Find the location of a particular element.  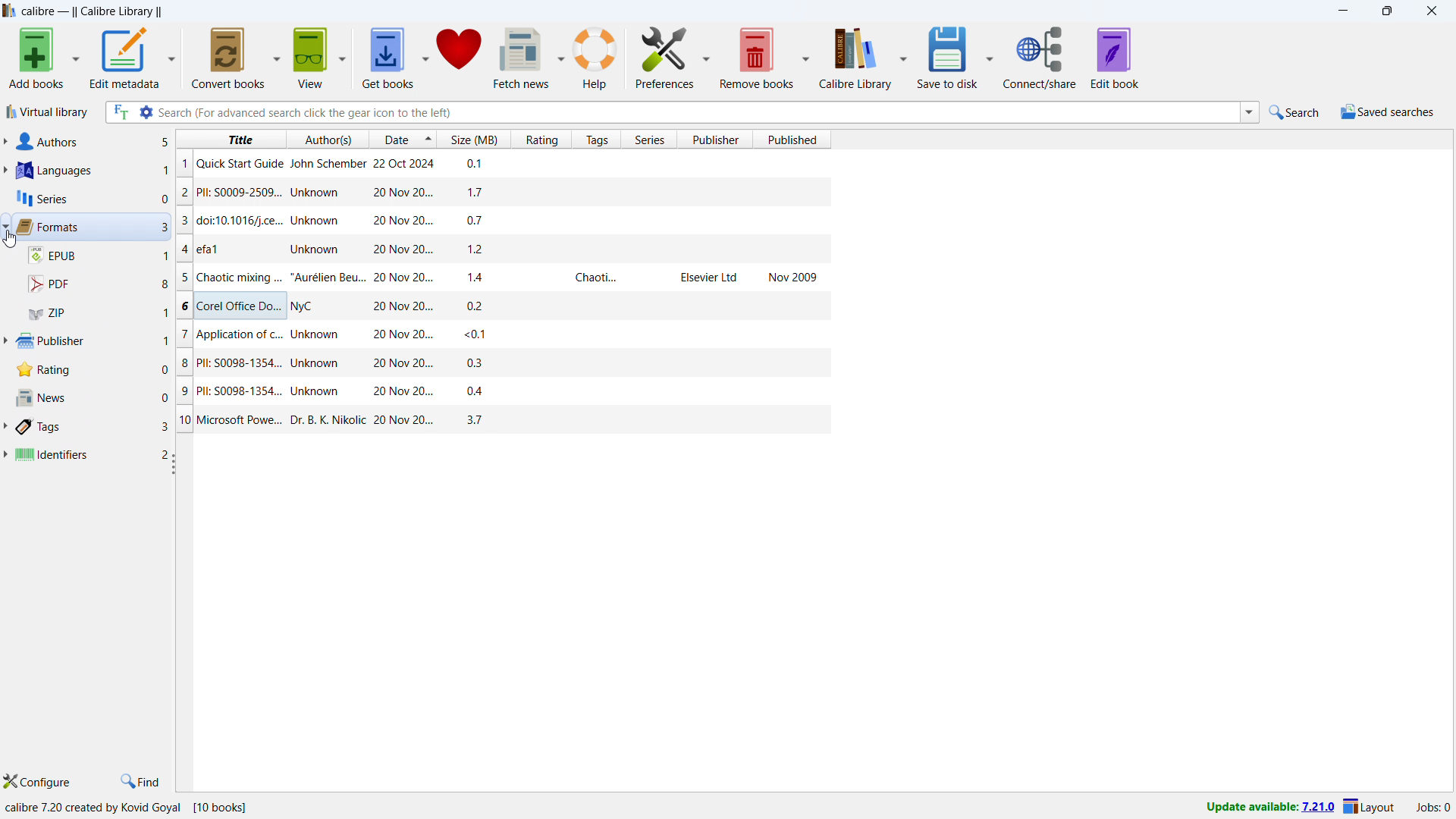

advanced search is located at coordinates (147, 111).